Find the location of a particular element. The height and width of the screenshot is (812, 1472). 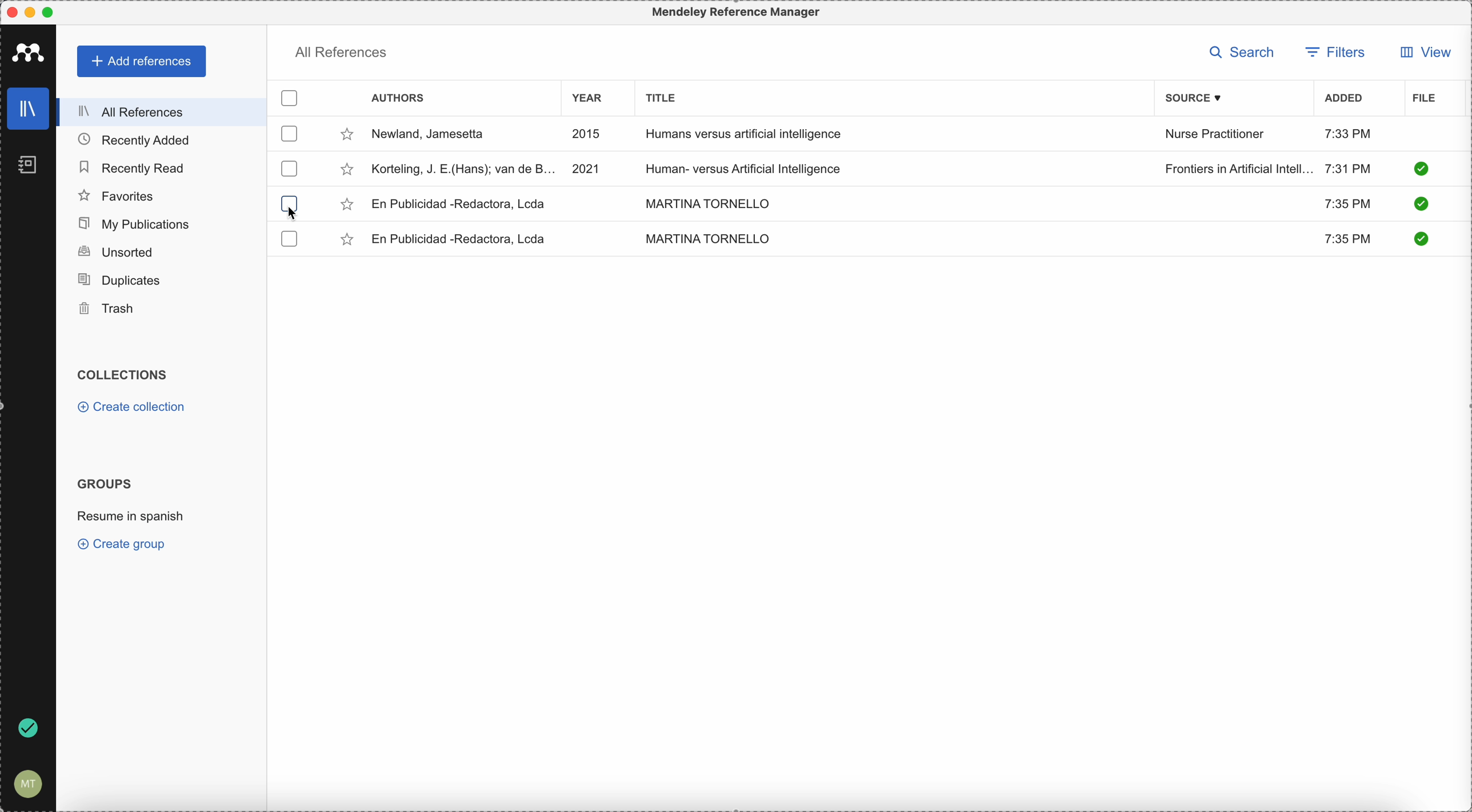

Mendeley icon is located at coordinates (29, 50).